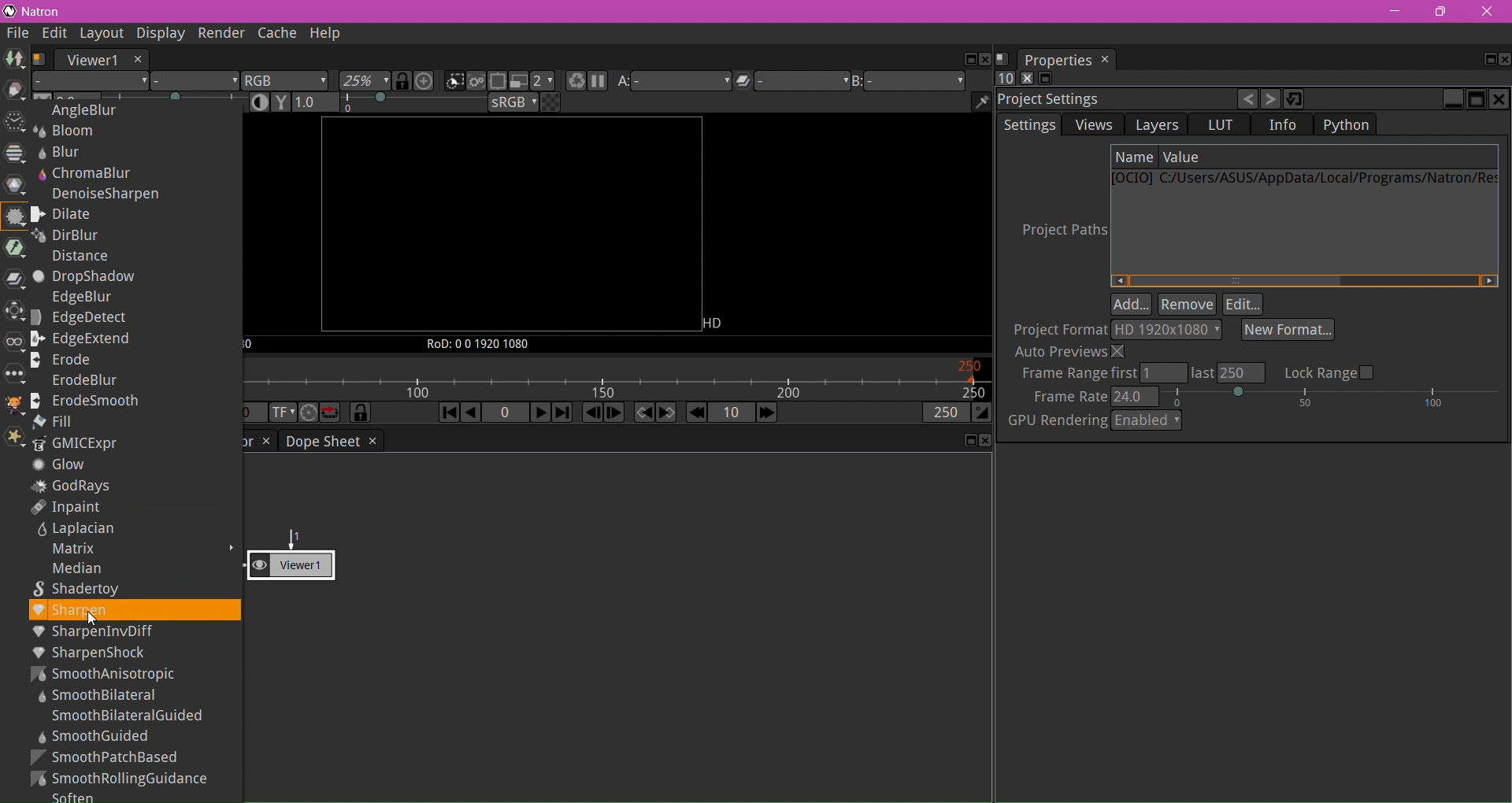 Image resolution: width=1512 pixels, height=803 pixels. Describe the element at coordinates (11, 406) in the screenshot. I see `GMIC` at that location.